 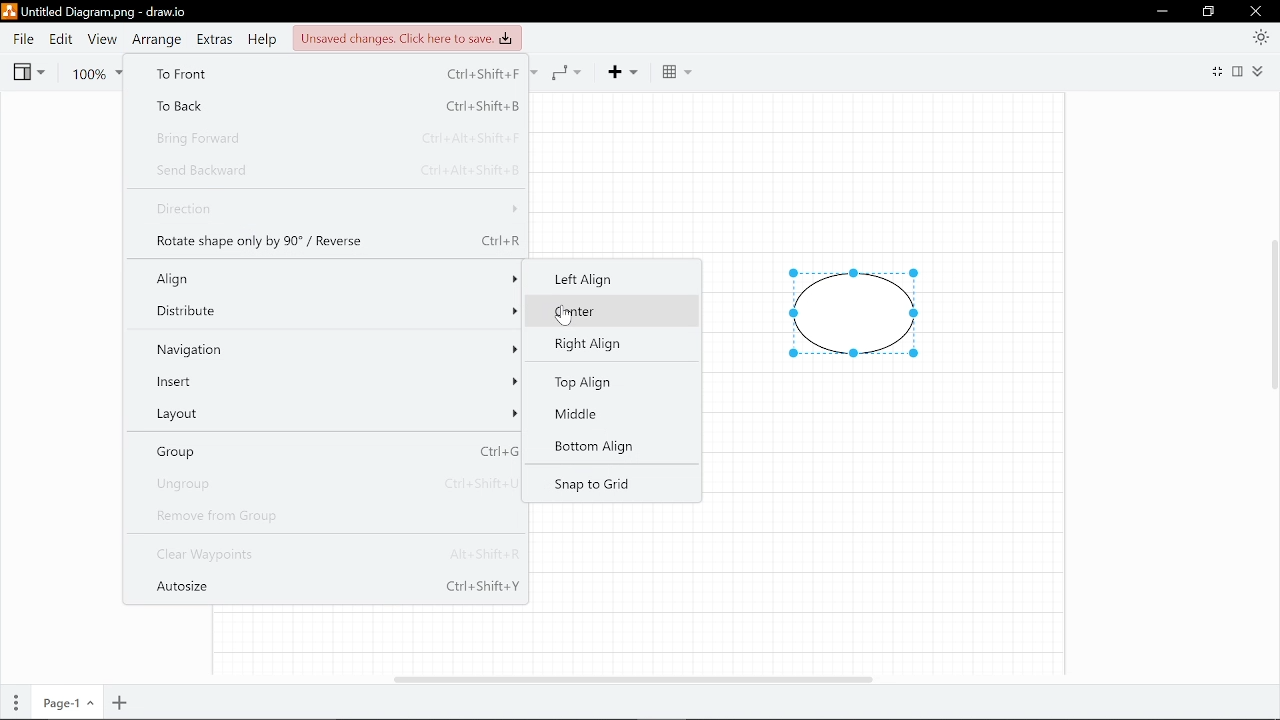 What do you see at coordinates (1161, 11) in the screenshot?
I see `Minimize` at bounding box center [1161, 11].